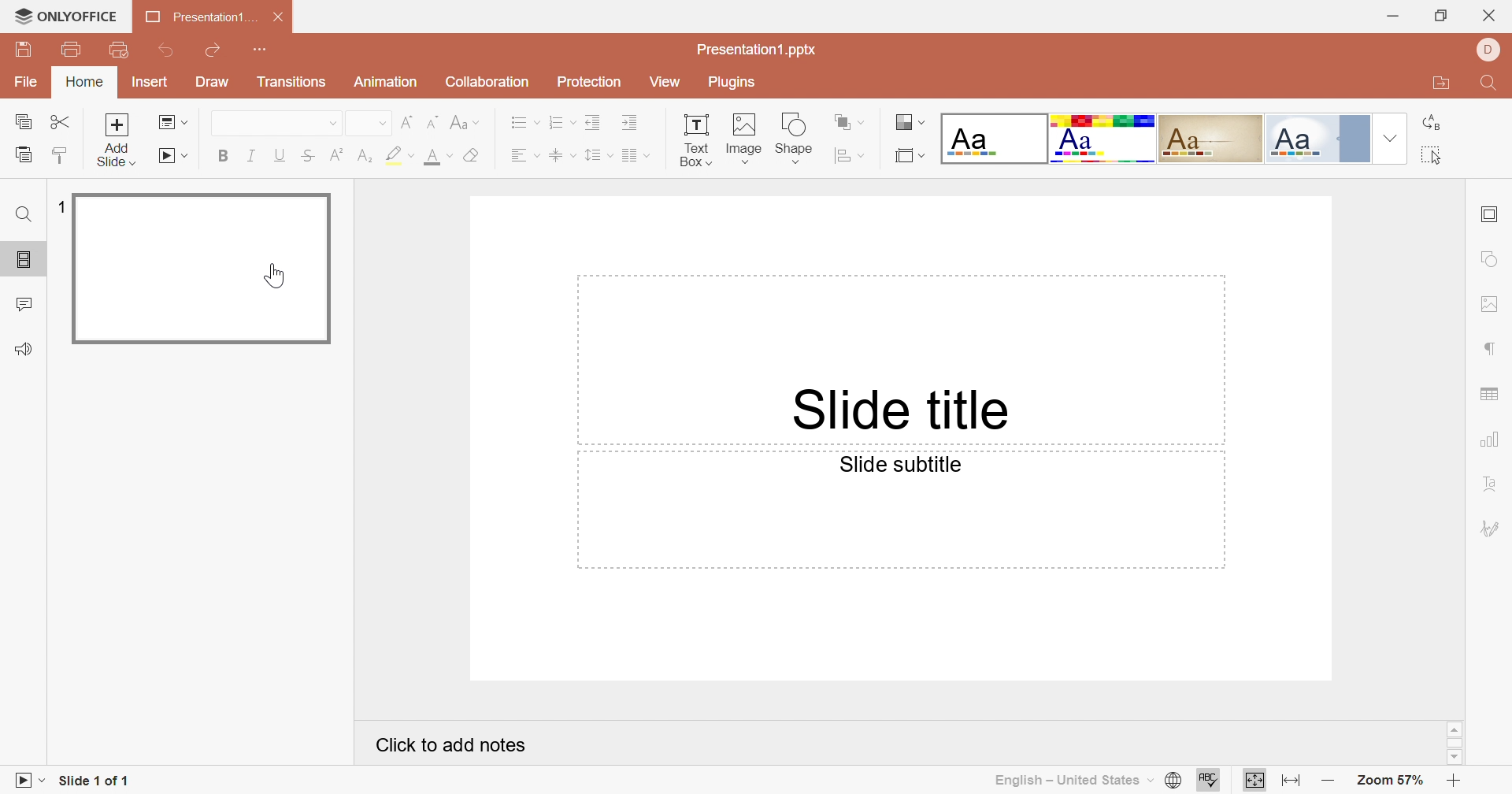 The height and width of the screenshot is (794, 1512). Describe the element at coordinates (224, 154) in the screenshot. I see `Bold` at that location.